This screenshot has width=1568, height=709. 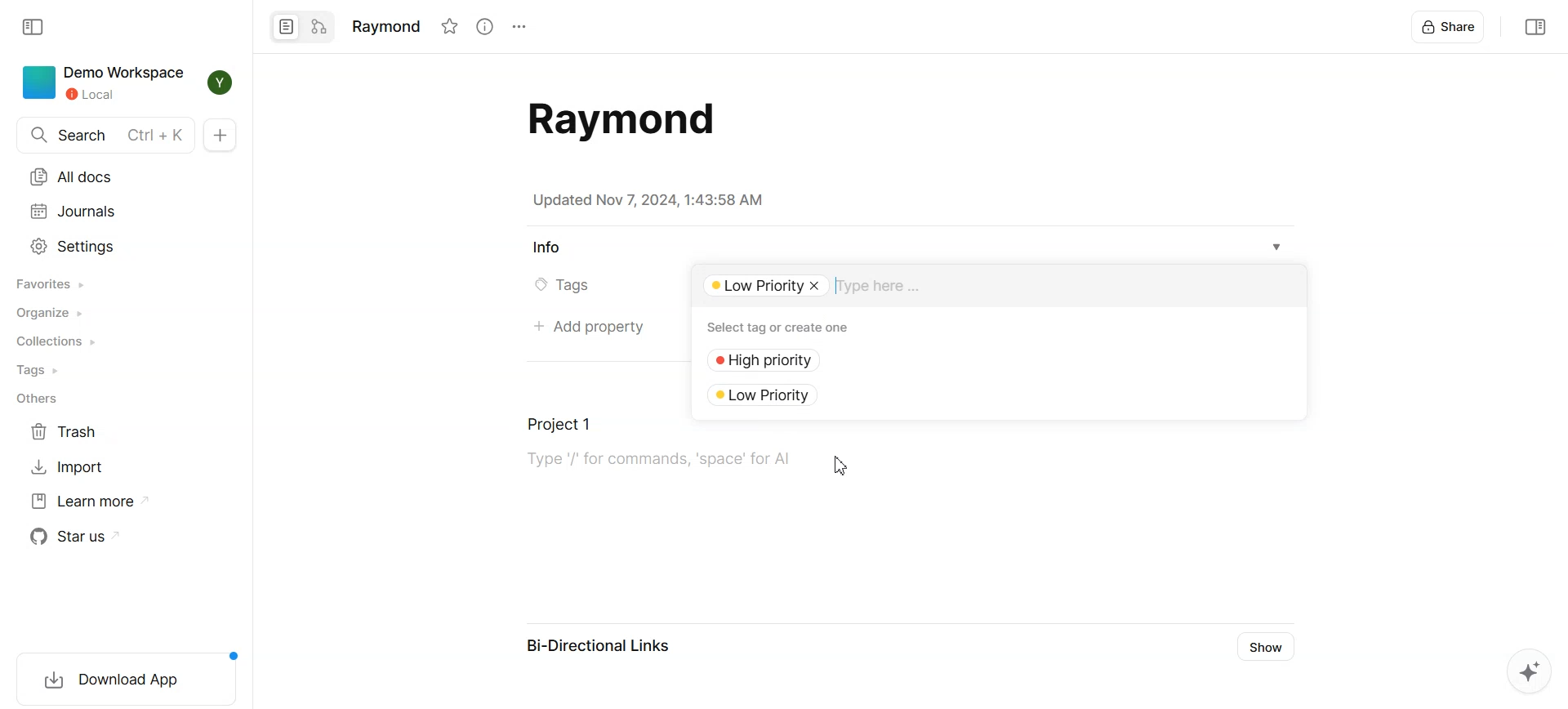 I want to click on Show, so click(x=1269, y=647).